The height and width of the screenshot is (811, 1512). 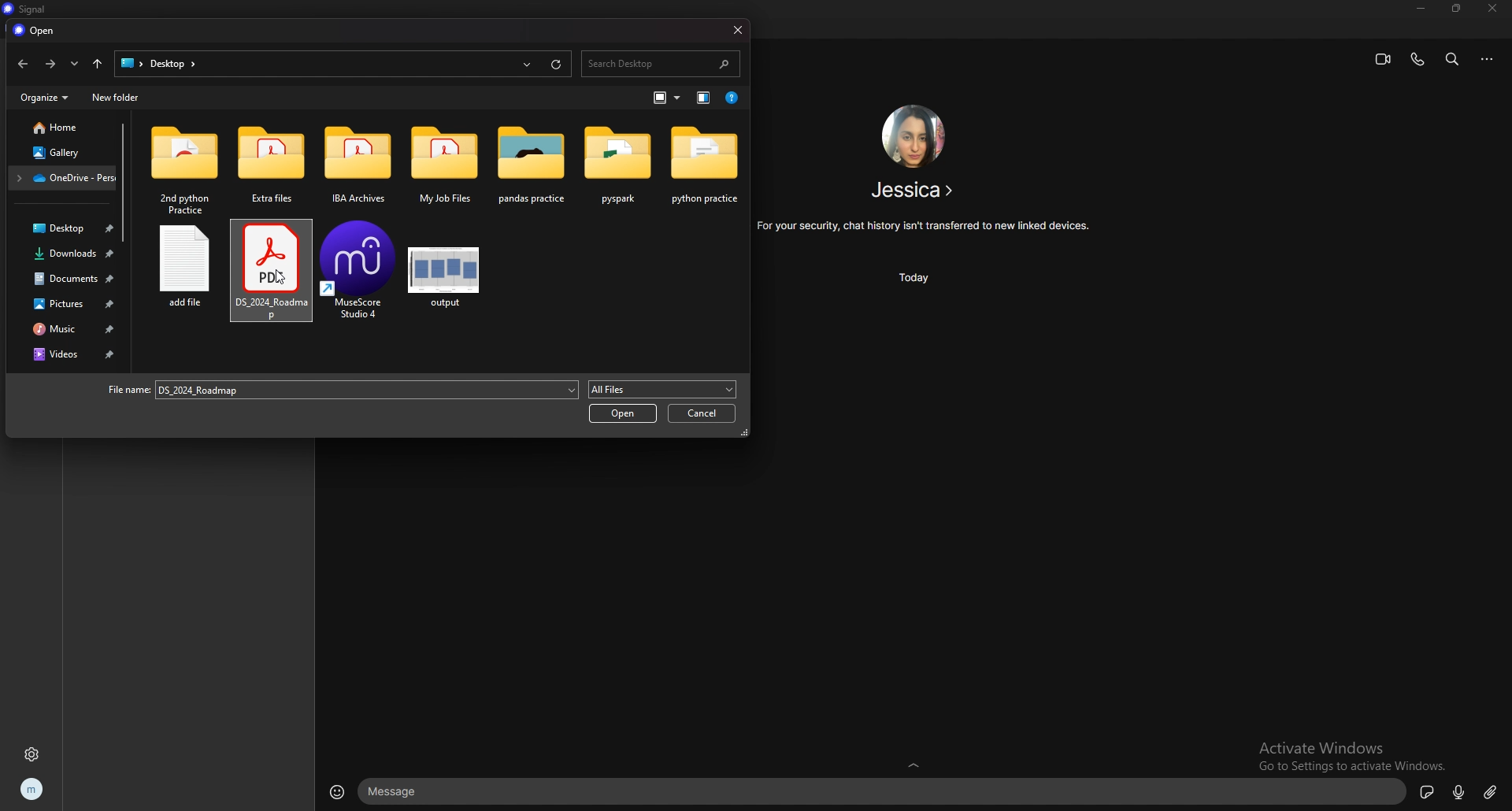 What do you see at coordinates (360, 278) in the screenshot?
I see `file` at bounding box center [360, 278].